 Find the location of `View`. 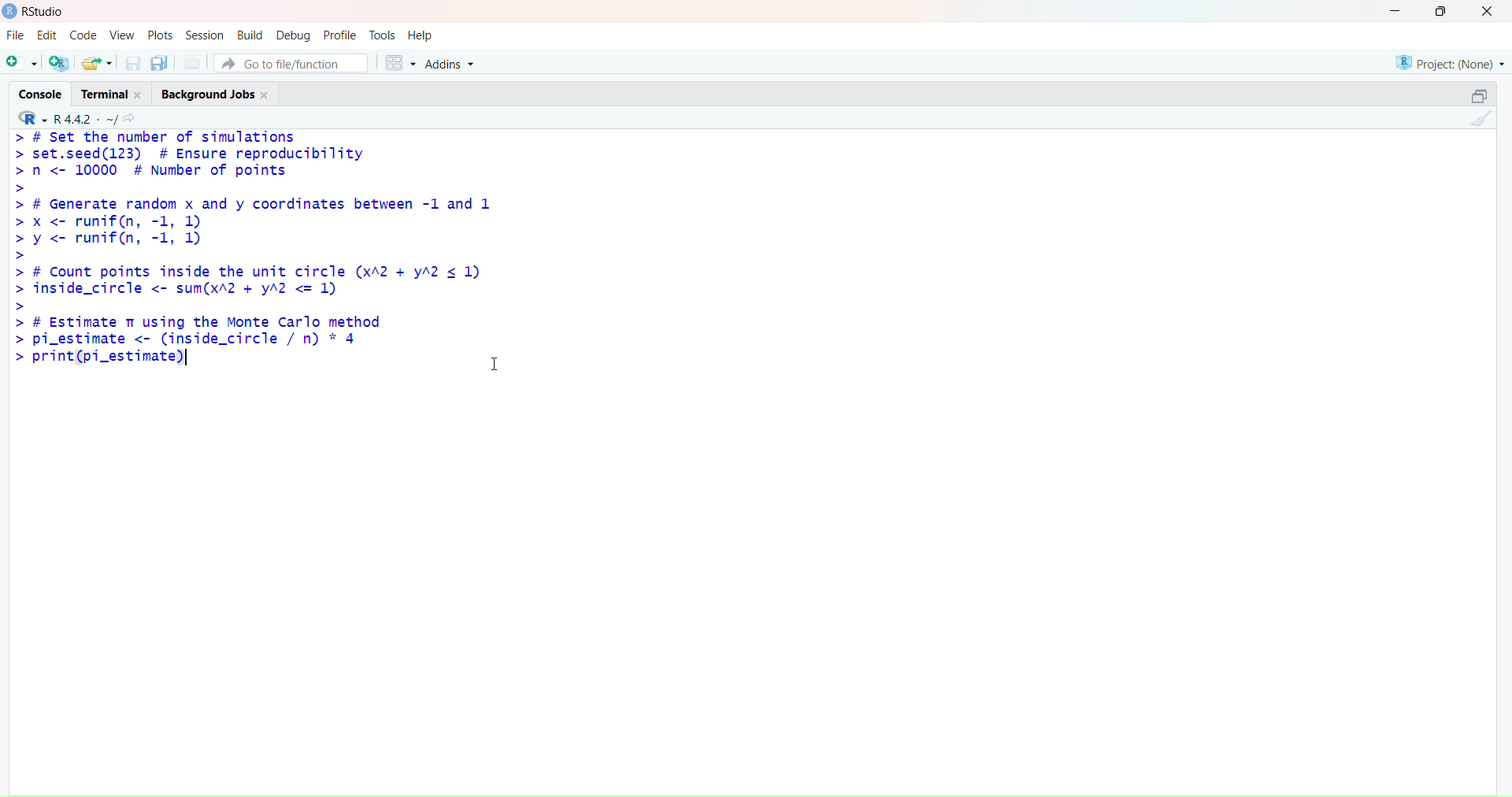

View is located at coordinates (121, 33).